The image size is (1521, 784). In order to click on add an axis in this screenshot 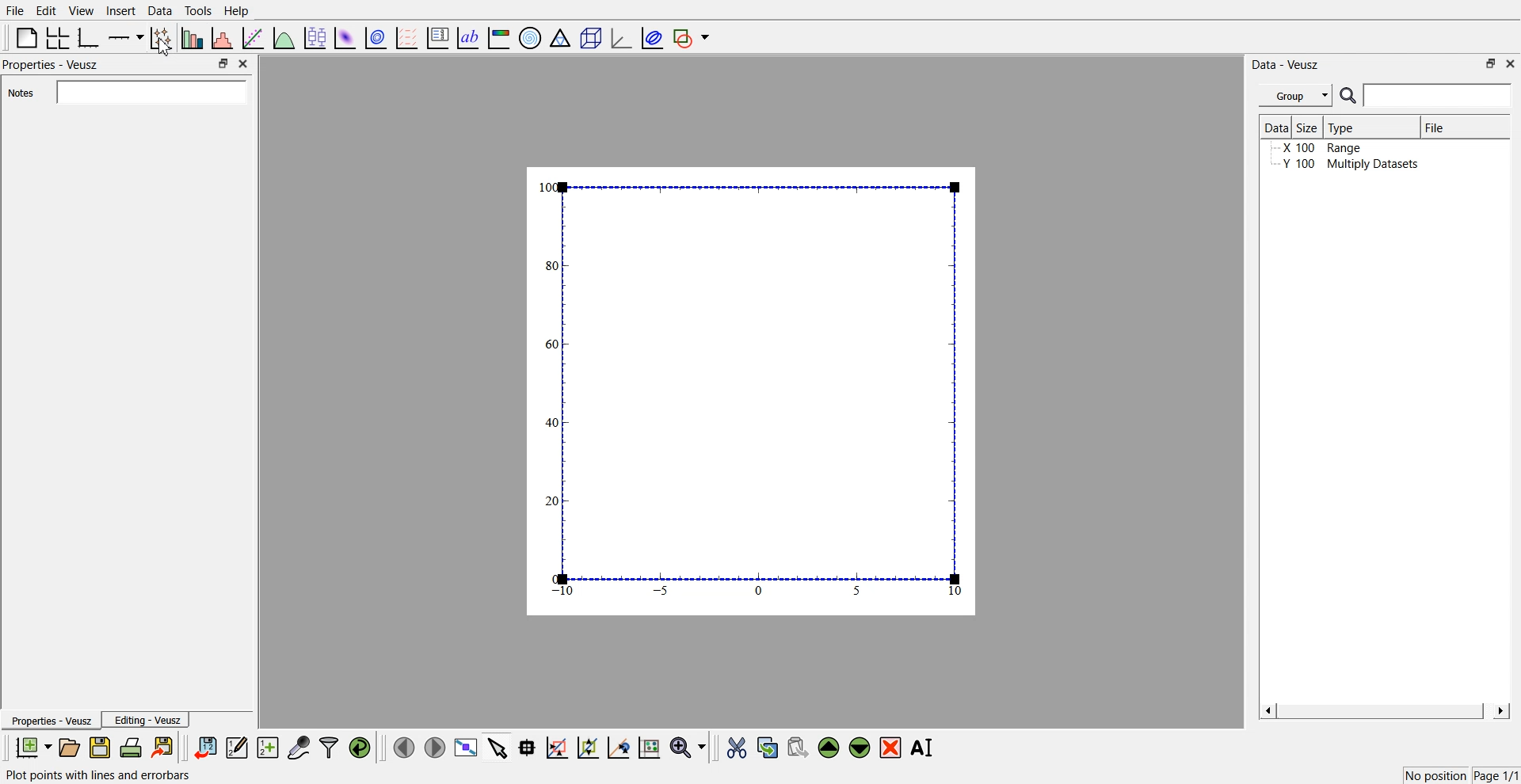, I will do `click(127, 37)`.